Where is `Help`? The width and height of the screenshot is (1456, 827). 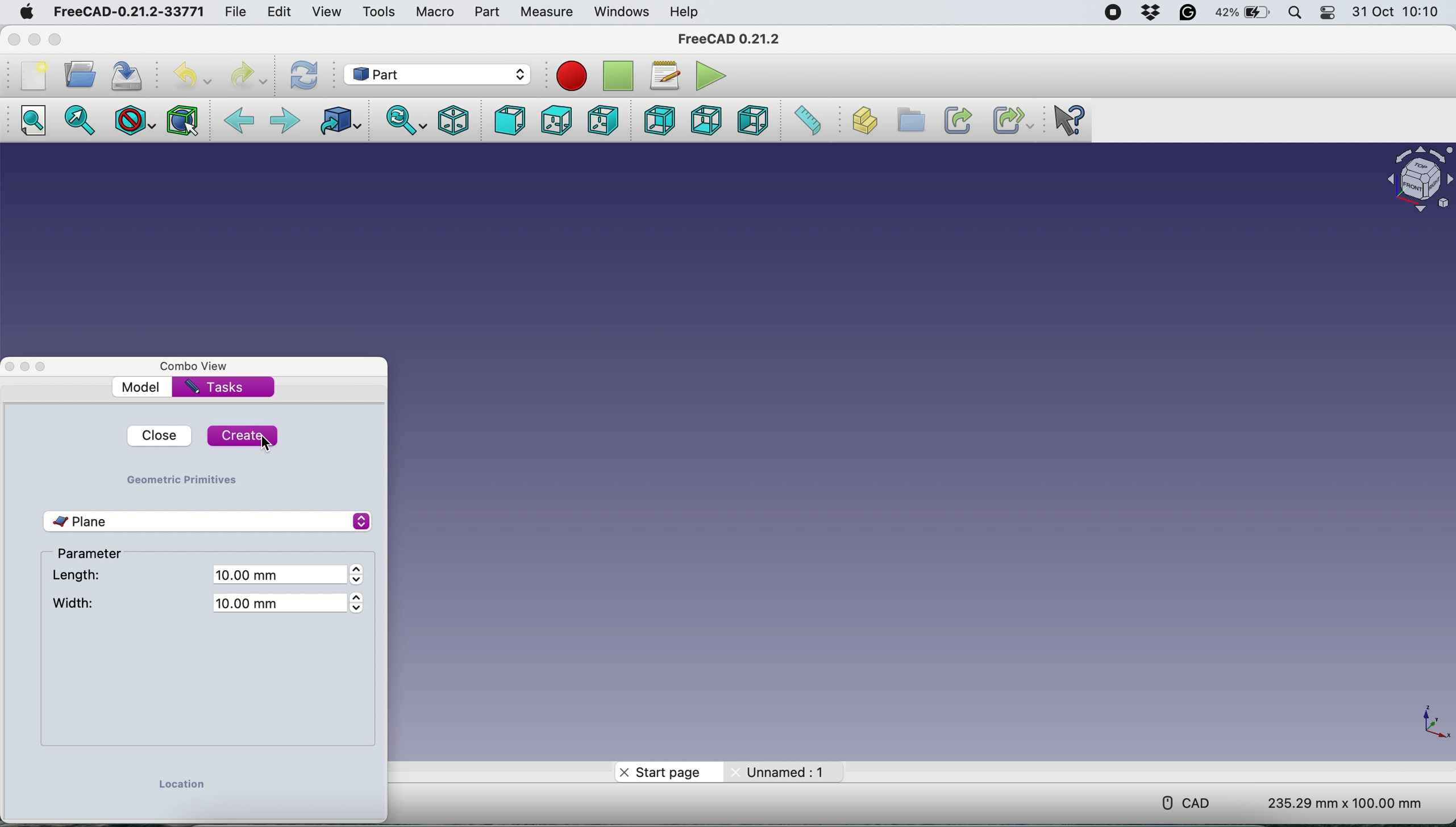
Help is located at coordinates (684, 12).